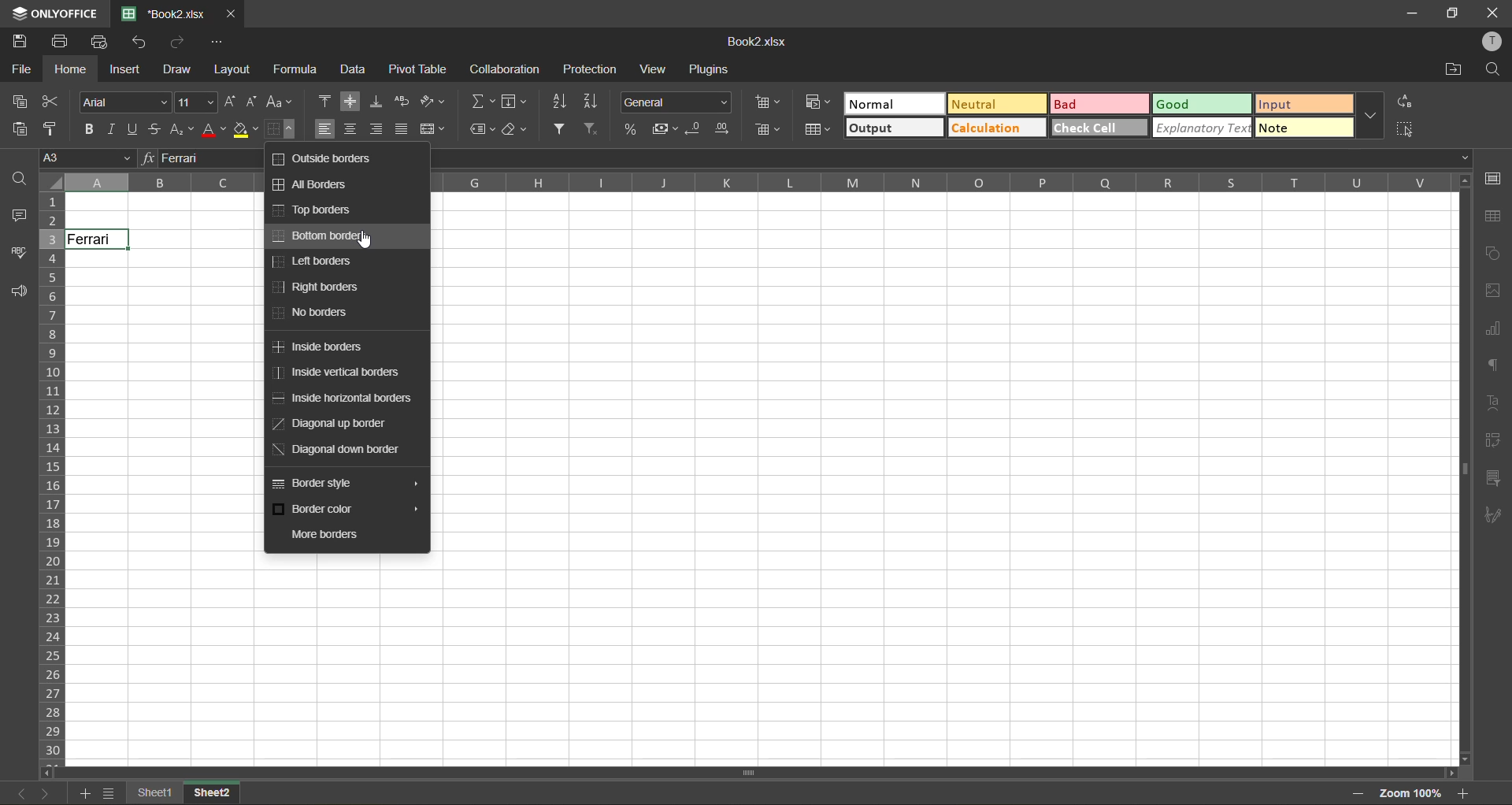 The image size is (1512, 805). Describe the element at coordinates (761, 42) in the screenshot. I see `file name` at that location.